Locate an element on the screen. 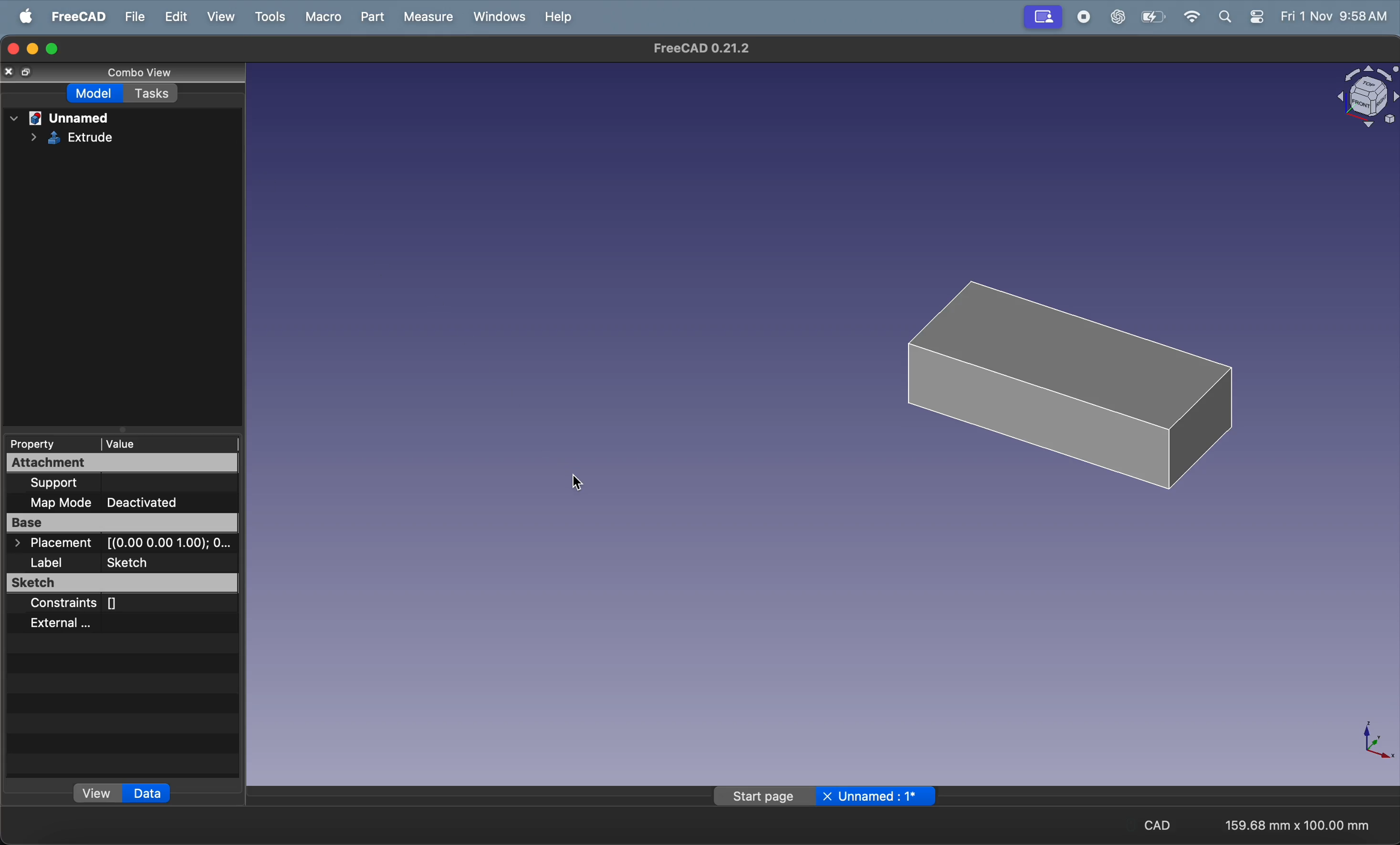 This screenshot has height=845, width=1400. cursor is located at coordinates (585, 484).